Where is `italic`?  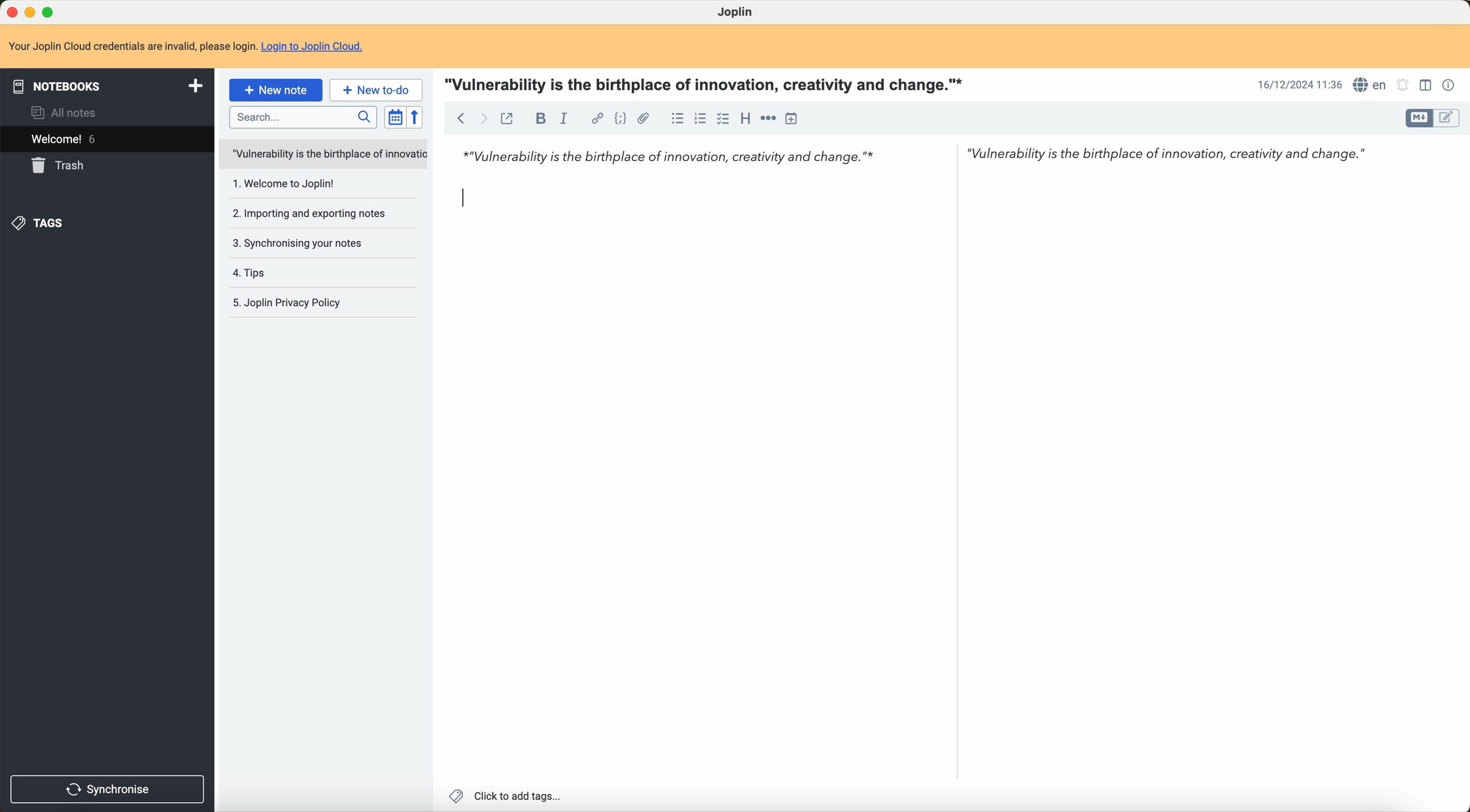 italic is located at coordinates (565, 116).